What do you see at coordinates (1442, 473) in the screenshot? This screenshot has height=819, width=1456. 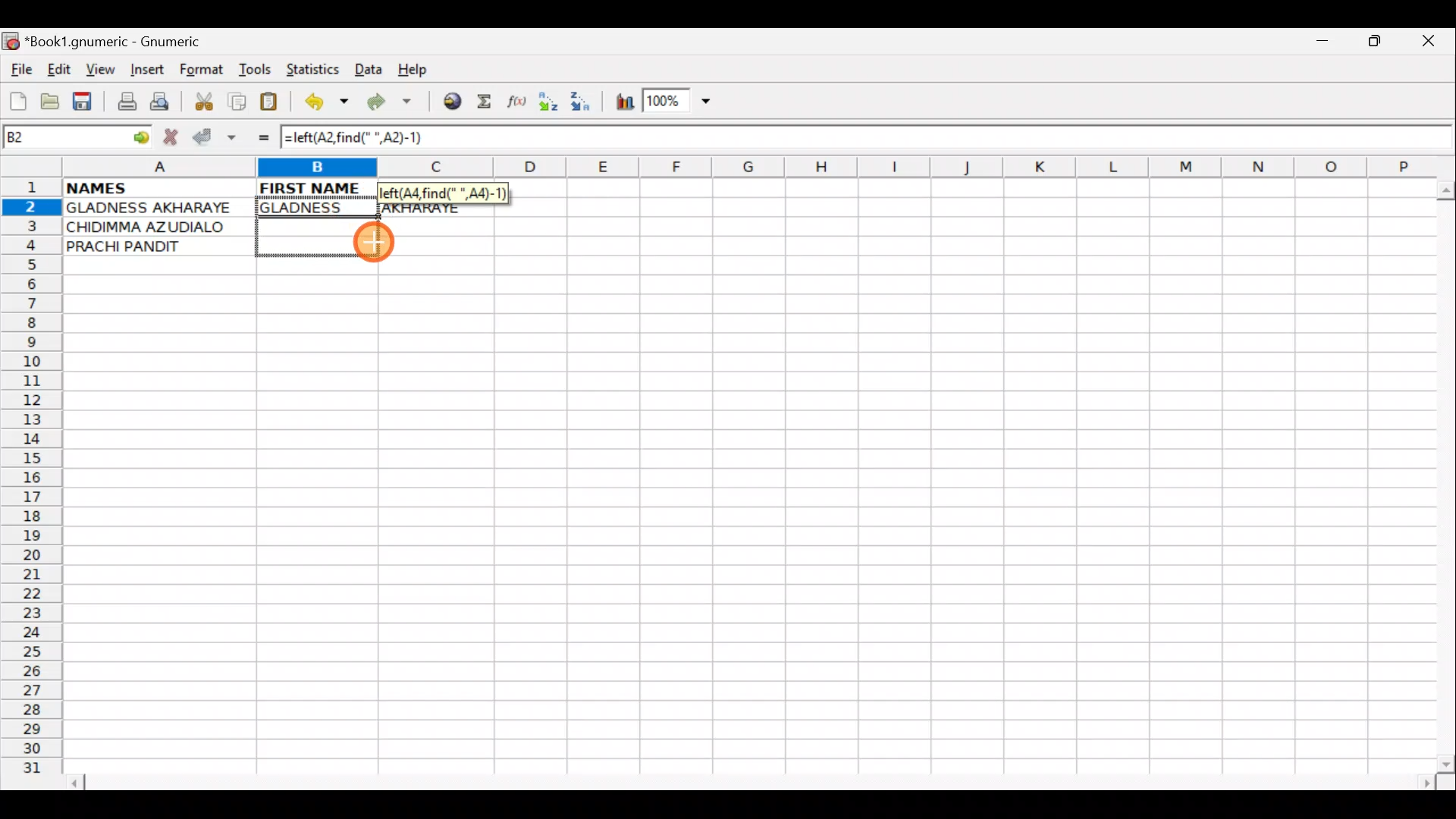 I see `Scroll bar` at bounding box center [1442, 473].